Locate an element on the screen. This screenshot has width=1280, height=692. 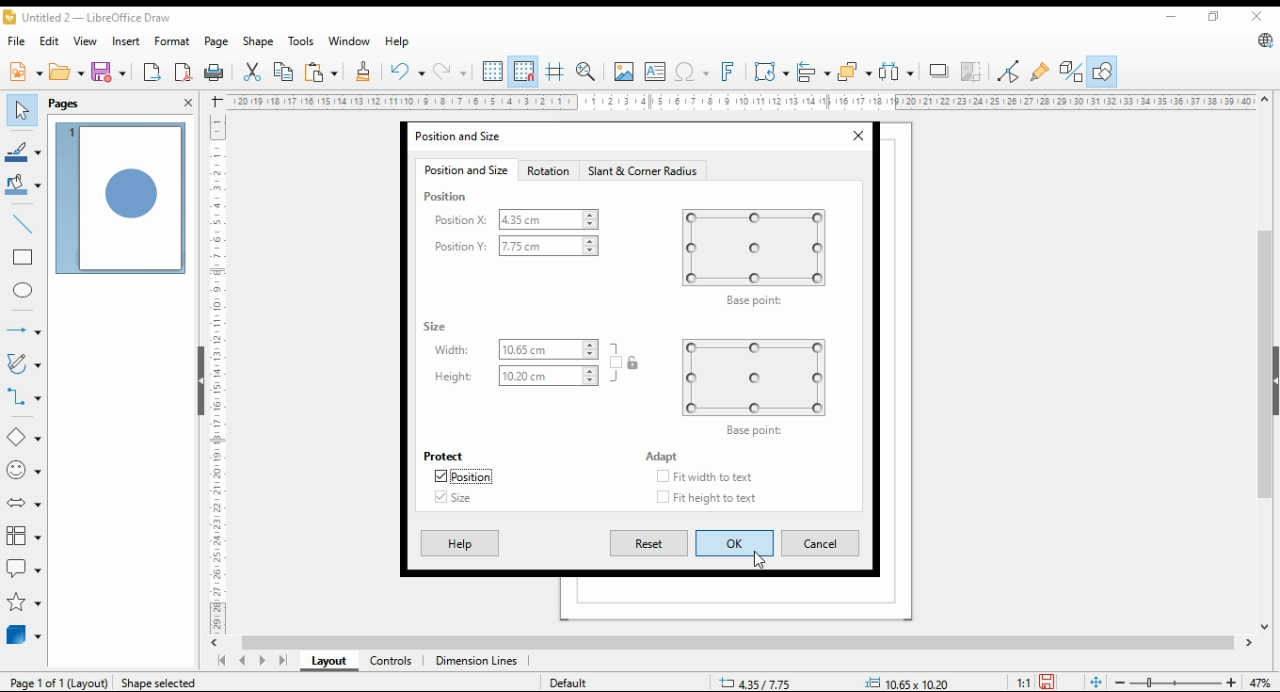
1:1 is located at coordinates (1023, 681).